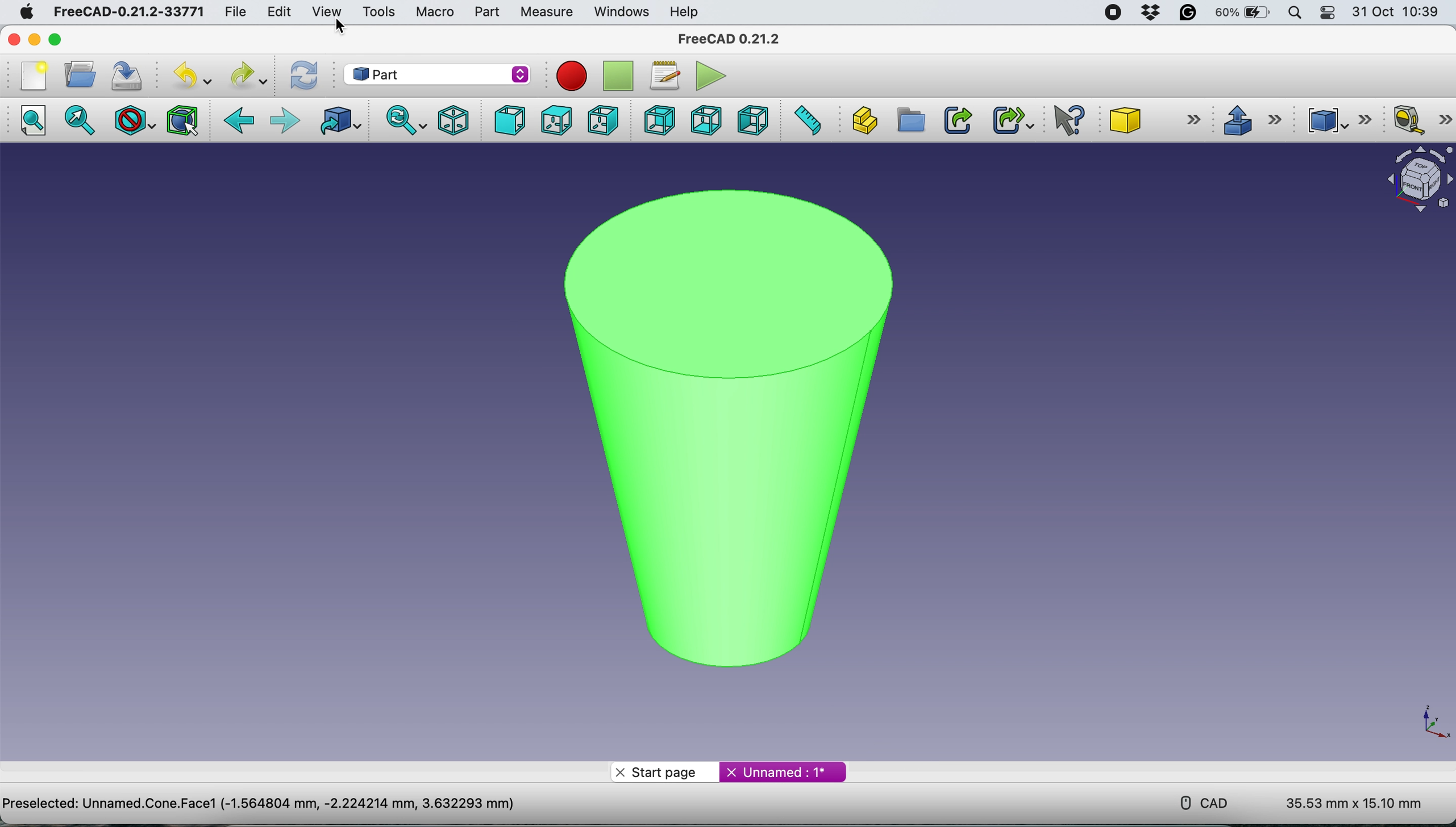  I want to click on measure distance, so click(808, 121).